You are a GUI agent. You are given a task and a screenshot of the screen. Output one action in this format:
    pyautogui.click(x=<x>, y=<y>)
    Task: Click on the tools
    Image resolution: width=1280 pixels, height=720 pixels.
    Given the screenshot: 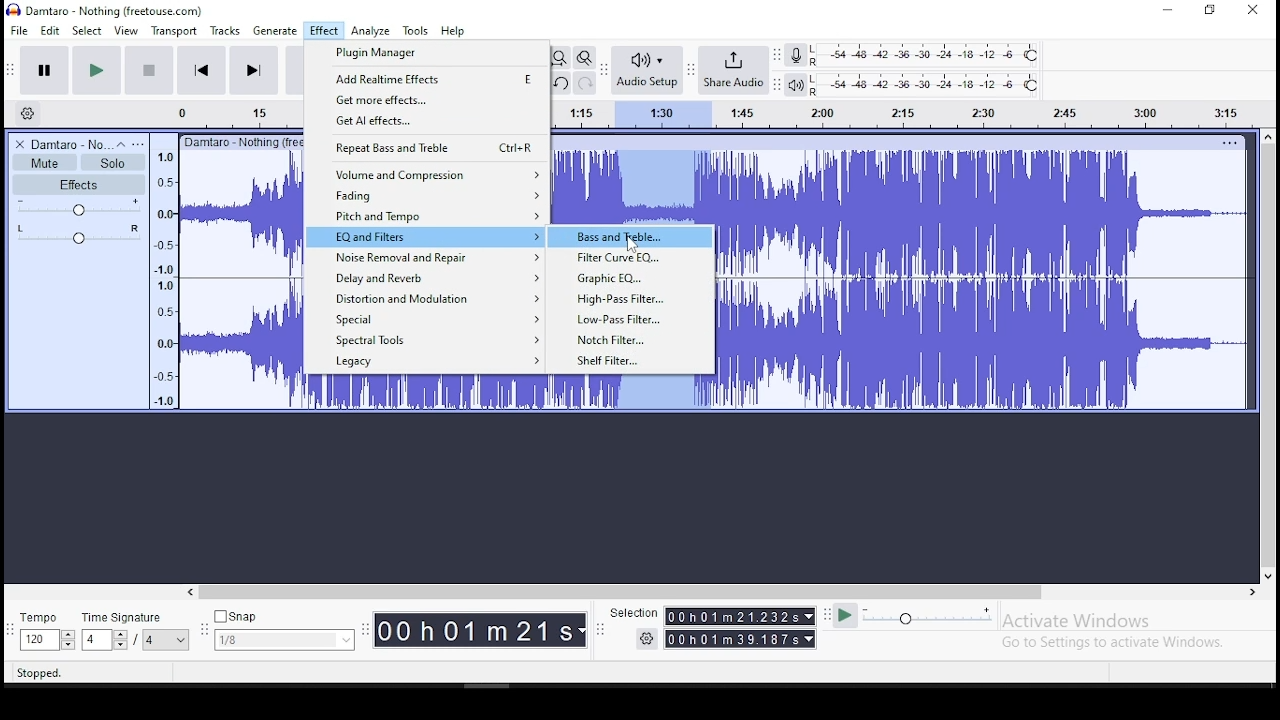 What is the action you would take?
    pyautogui.click(x=416, y=30)
    